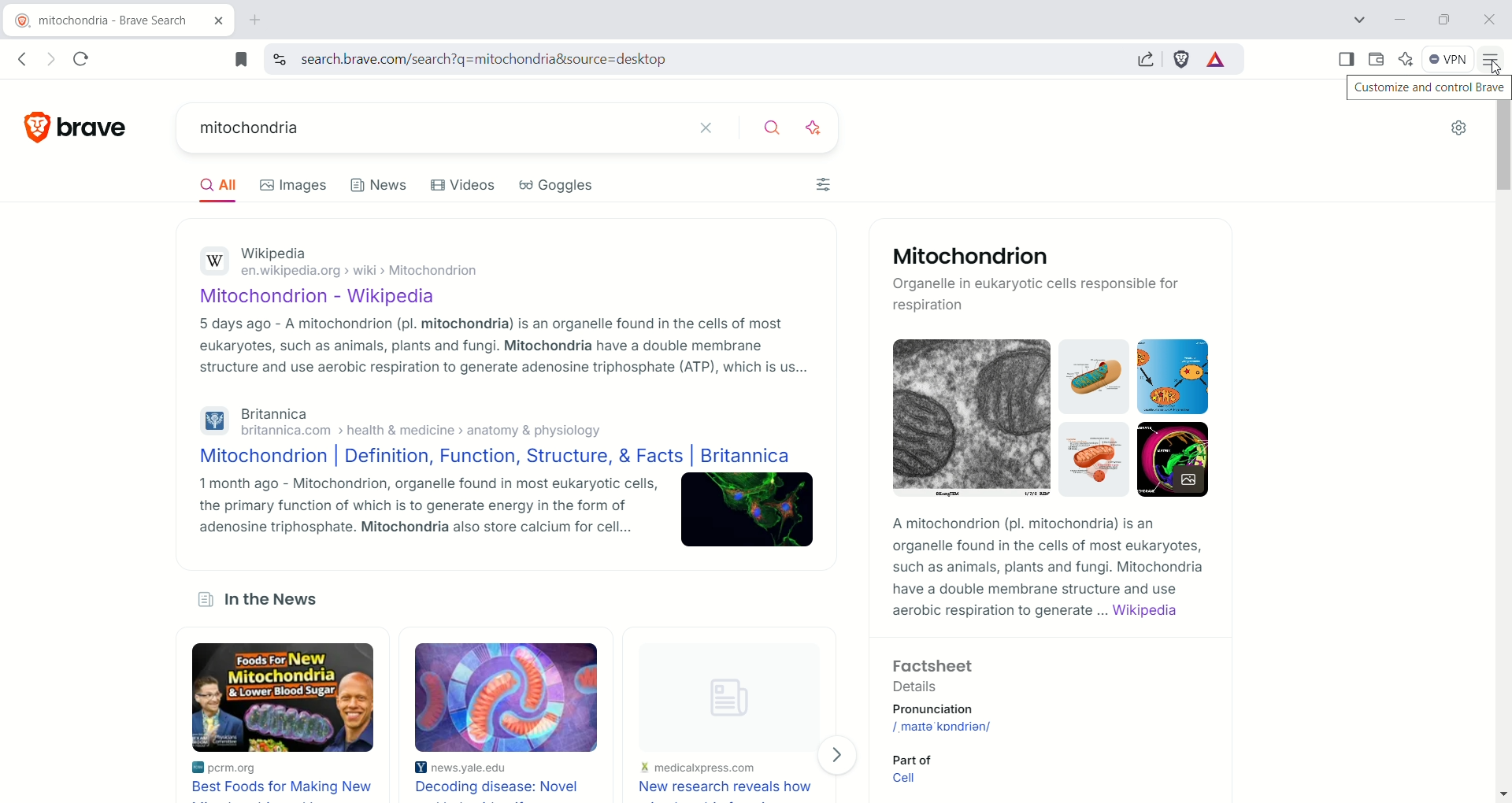 The image size is (1512, 803). Describe the element at coordinates (1344, 57) in the screenshot. I see `show sidebar` at that location.